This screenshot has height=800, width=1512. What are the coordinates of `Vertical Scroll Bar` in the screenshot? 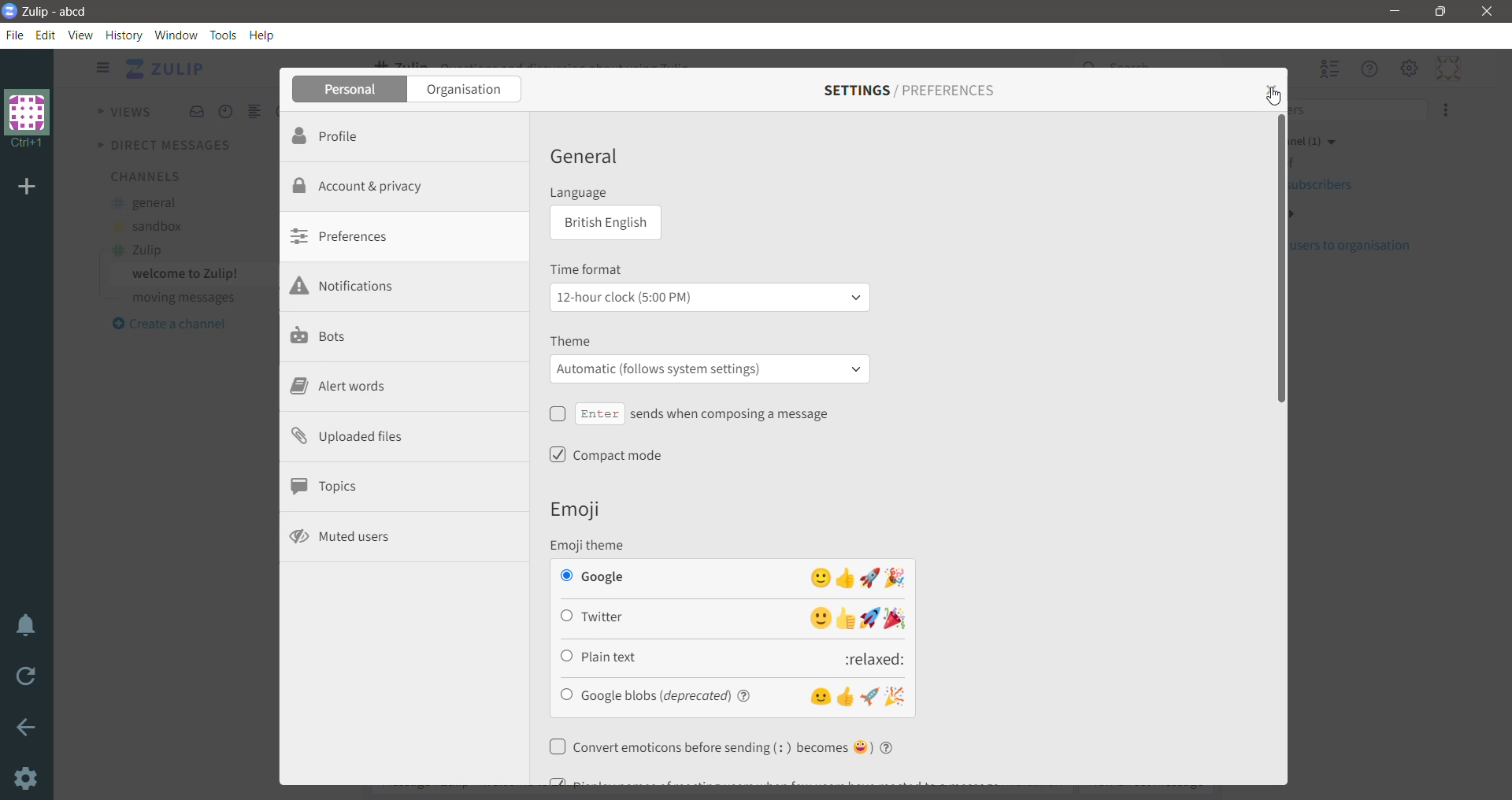 It's located at (1503, 424).